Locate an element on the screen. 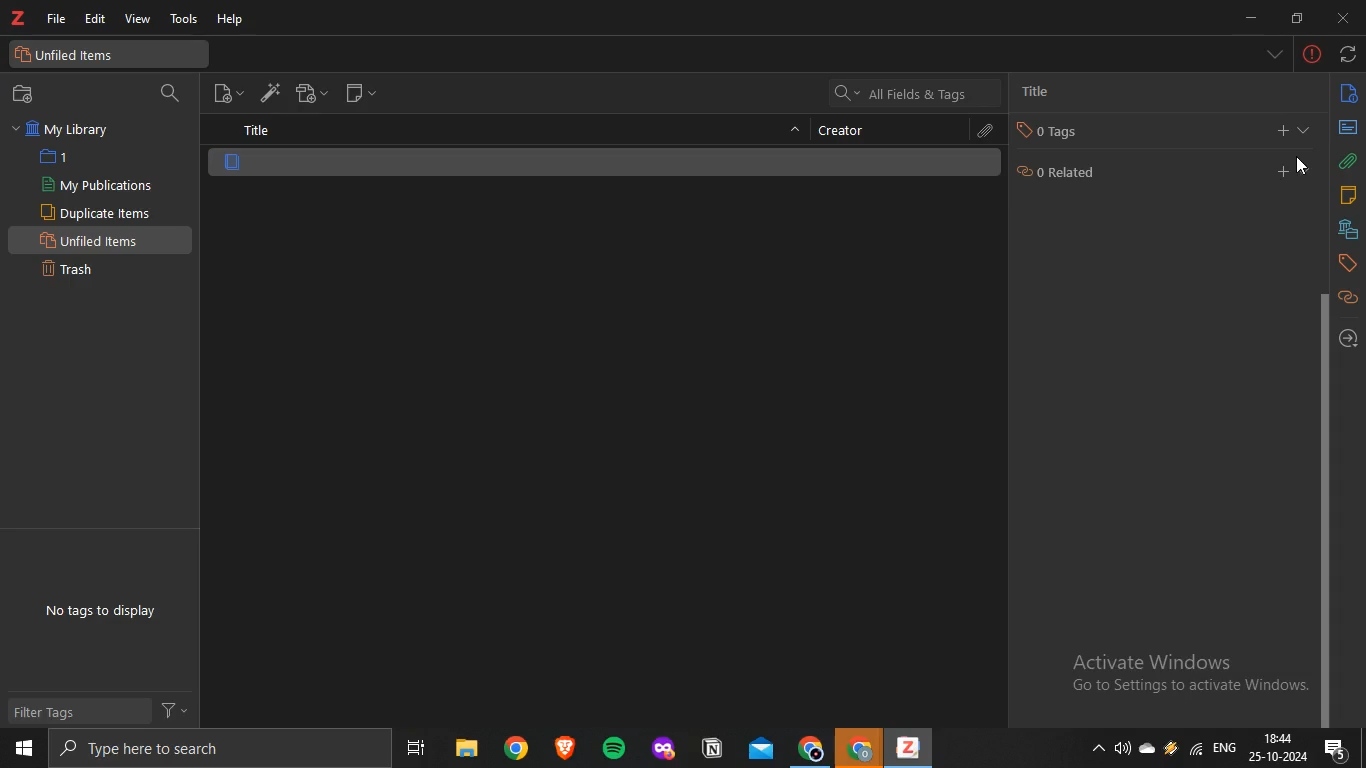 Image resolution: width=1366 pixels, height=768 pixels. new collection is located at coordinates (29, 93).